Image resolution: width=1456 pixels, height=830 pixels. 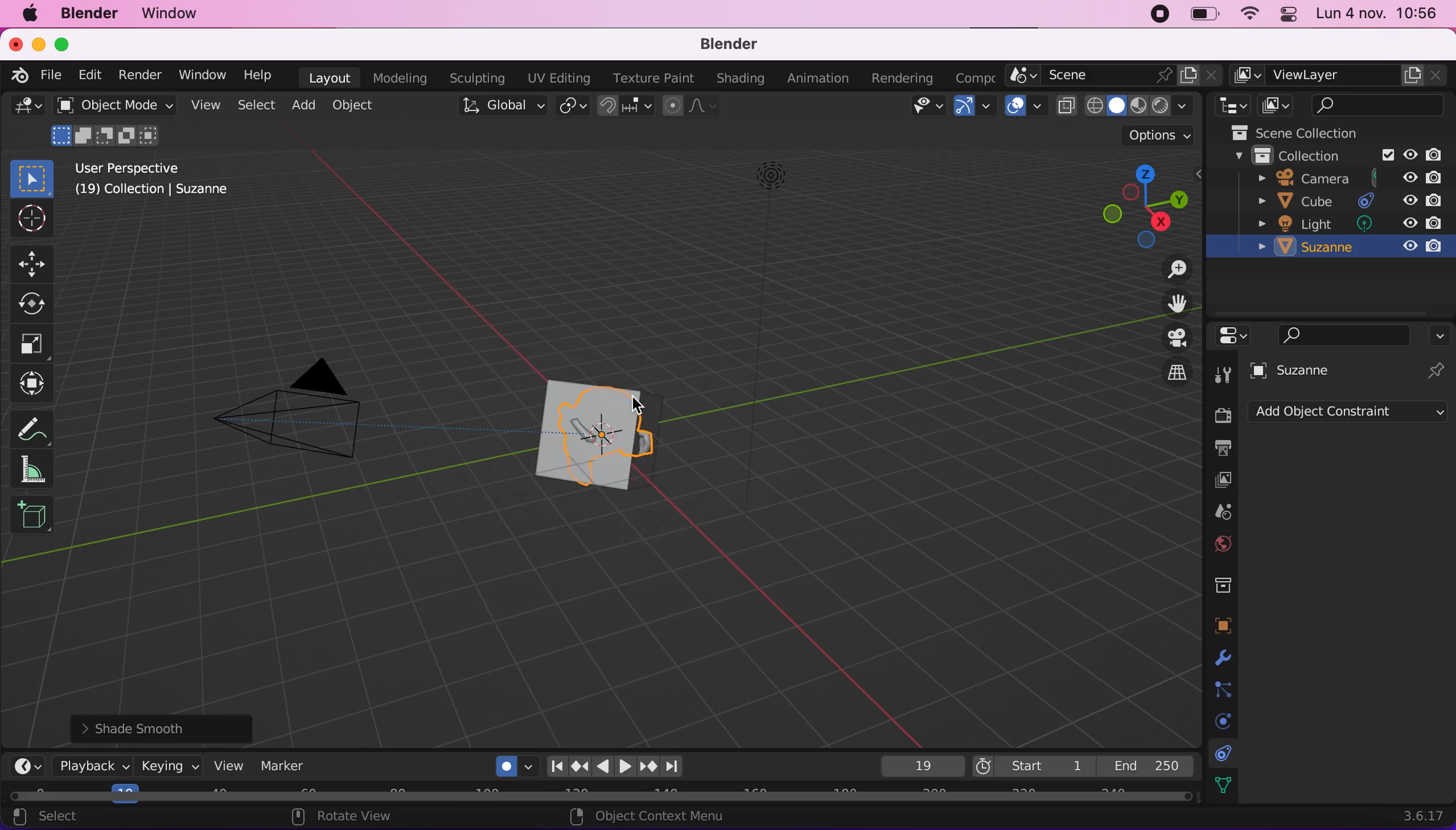 I want to click on snapping, so click(x=623, y=106).